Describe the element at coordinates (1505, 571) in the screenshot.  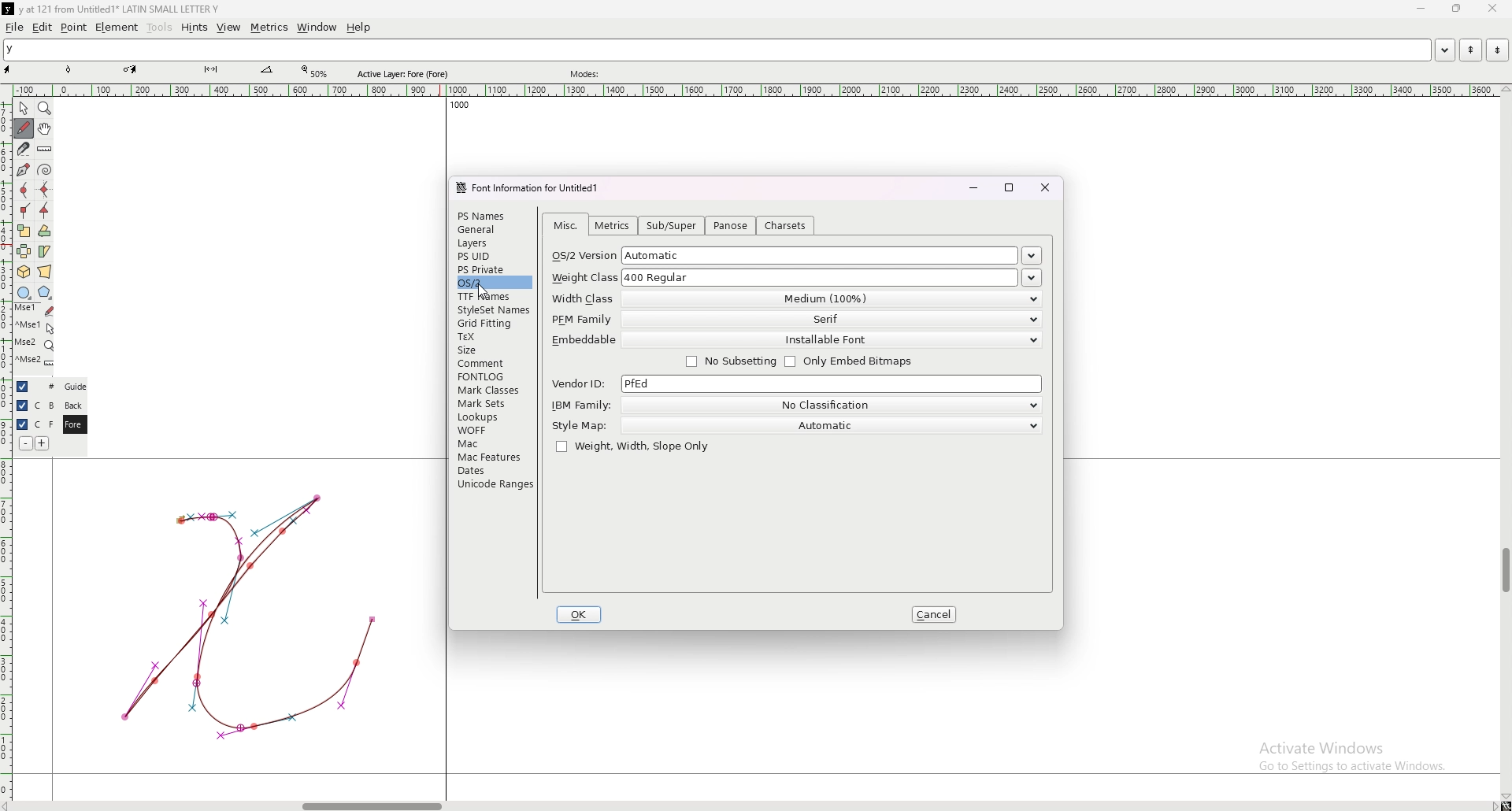
I see `scroll bar vertical` at that location.